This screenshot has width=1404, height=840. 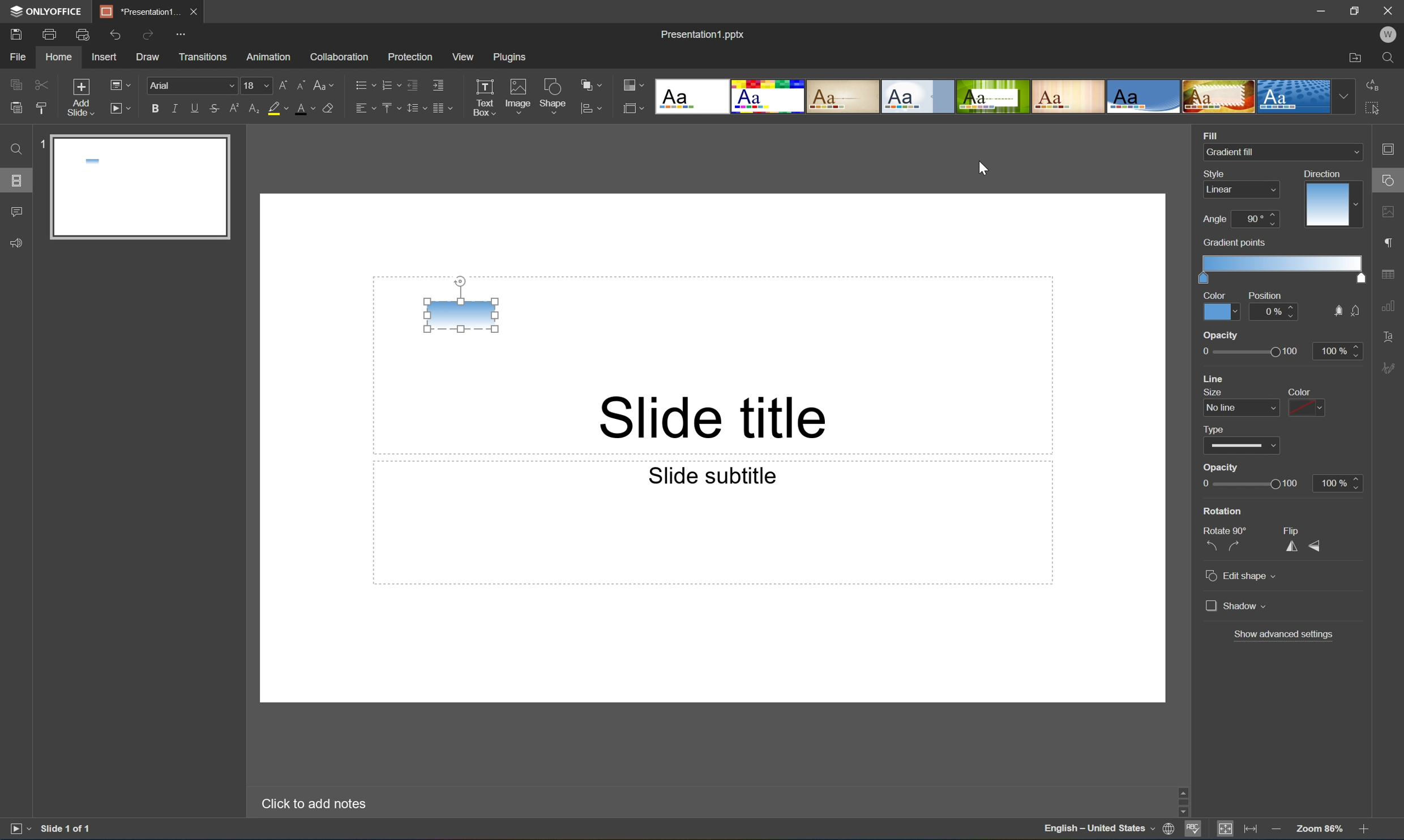 What do you see at coordinates (1210, 392) in the screenshot?
I see `size` at bounding box center [1210, 392].